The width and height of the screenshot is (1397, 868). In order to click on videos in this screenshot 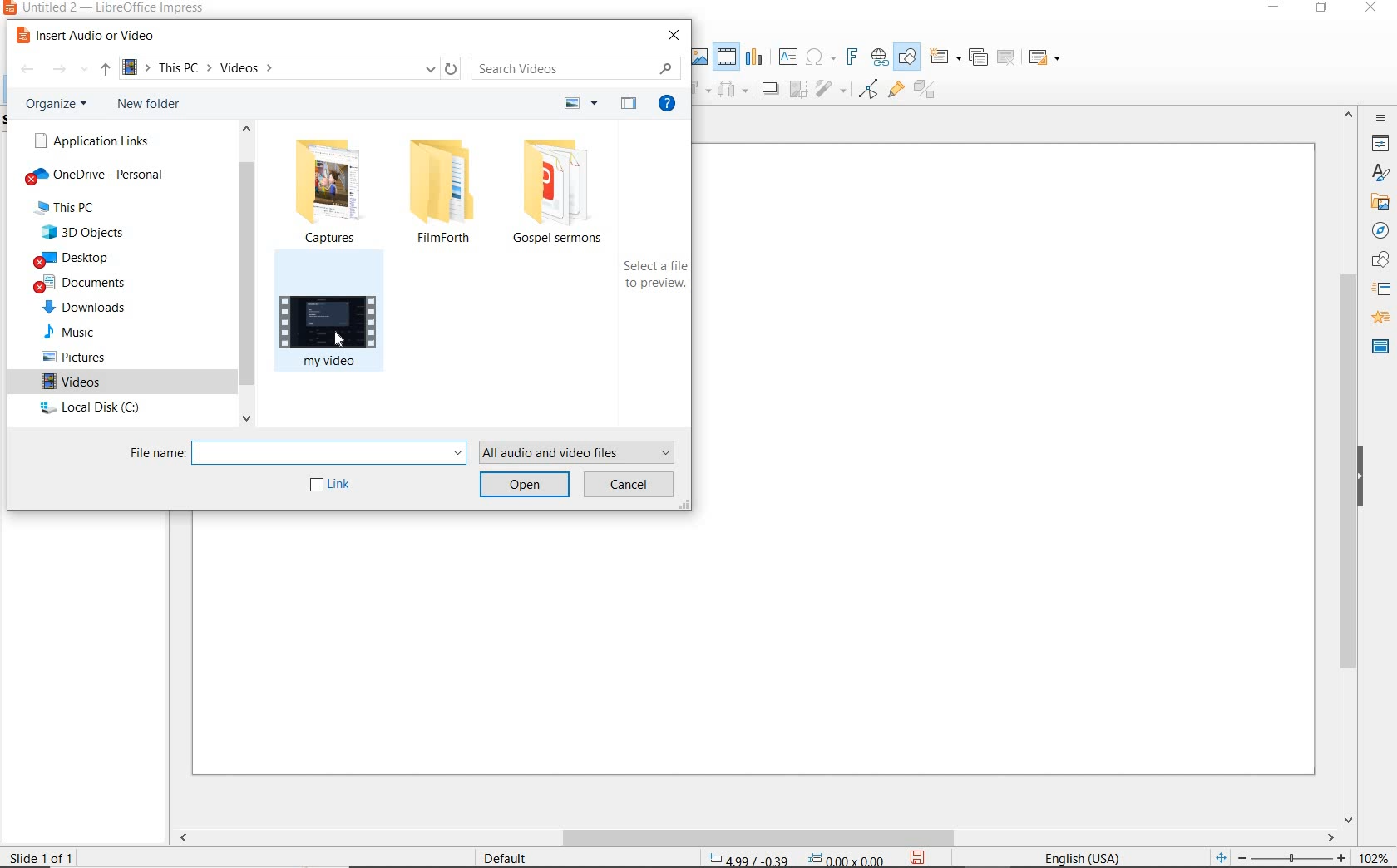, I will do `click(77, 384)`.